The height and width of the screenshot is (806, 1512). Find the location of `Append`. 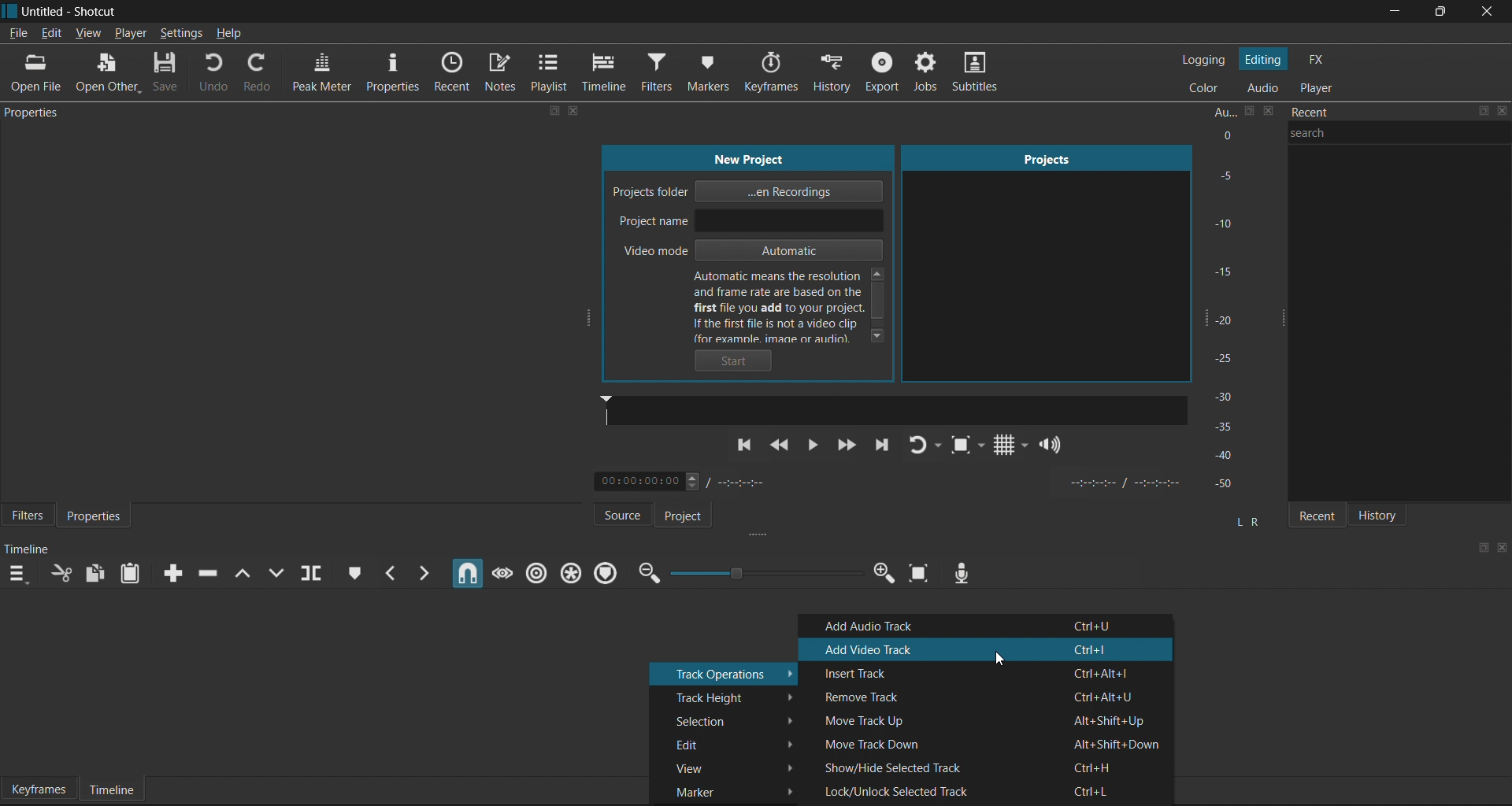

Append is located at coordinates (169, 571).